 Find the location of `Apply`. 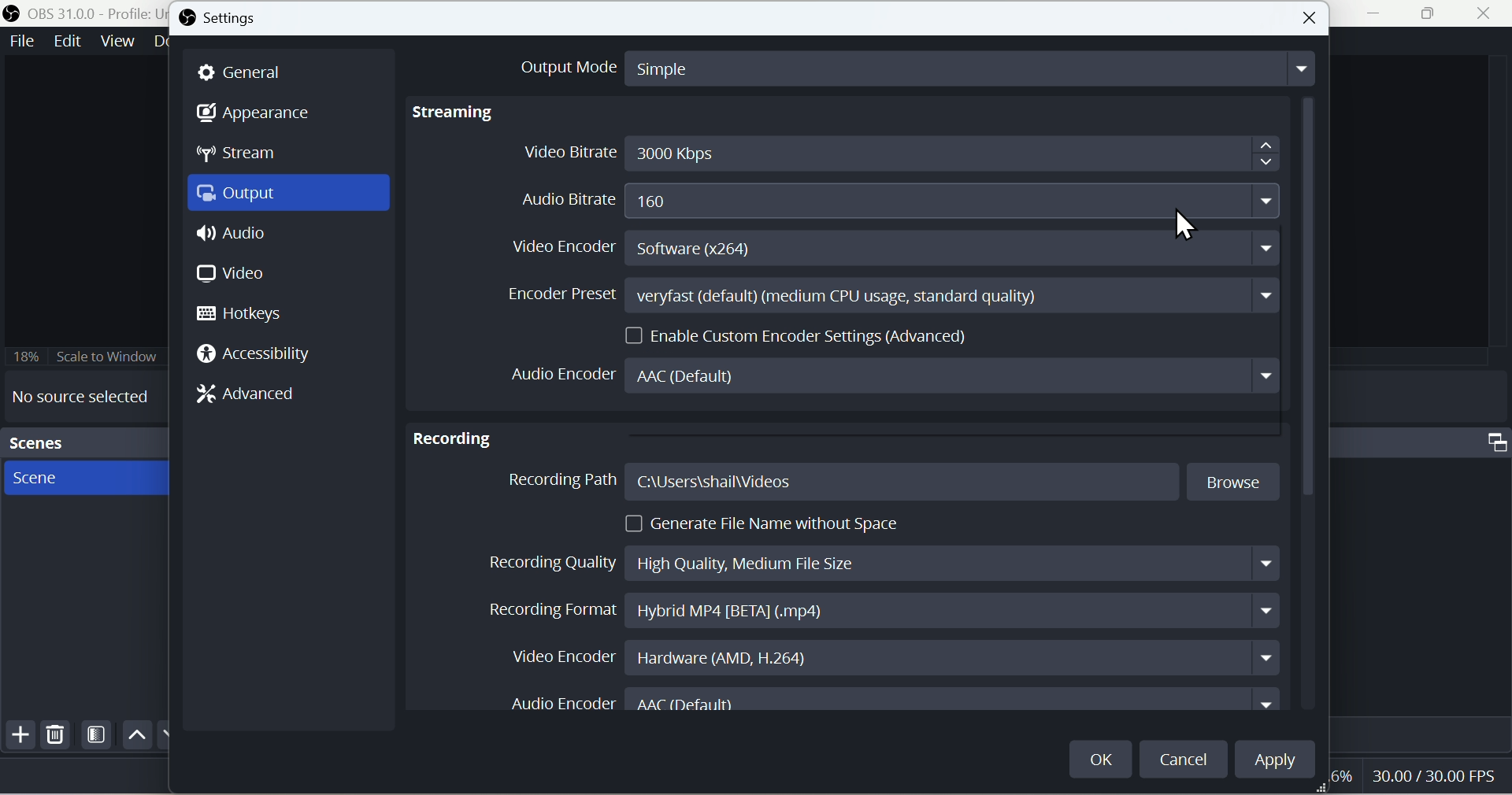

Apply is located at coordinates (1279, 763).